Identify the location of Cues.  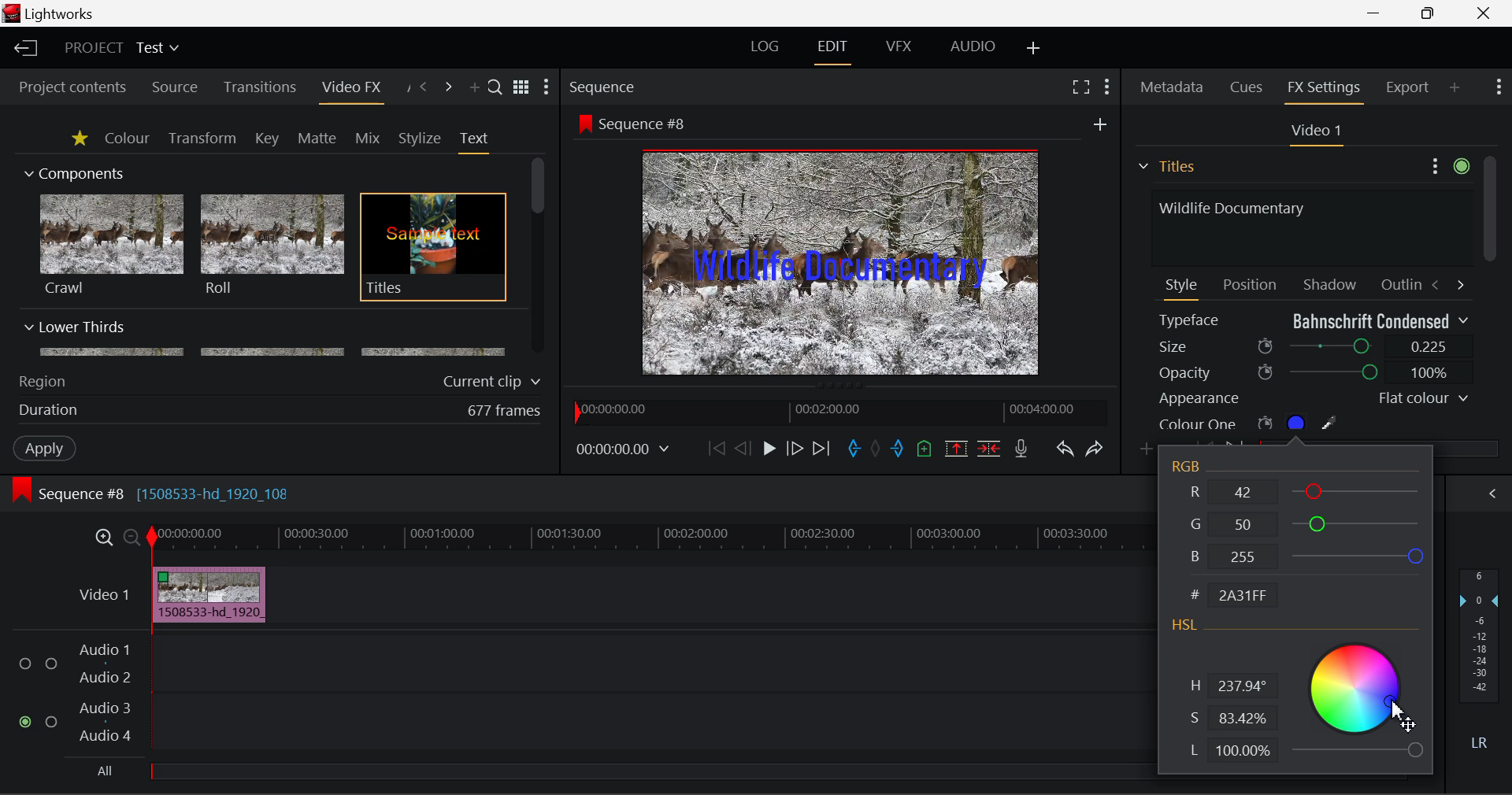
(1248, 87).